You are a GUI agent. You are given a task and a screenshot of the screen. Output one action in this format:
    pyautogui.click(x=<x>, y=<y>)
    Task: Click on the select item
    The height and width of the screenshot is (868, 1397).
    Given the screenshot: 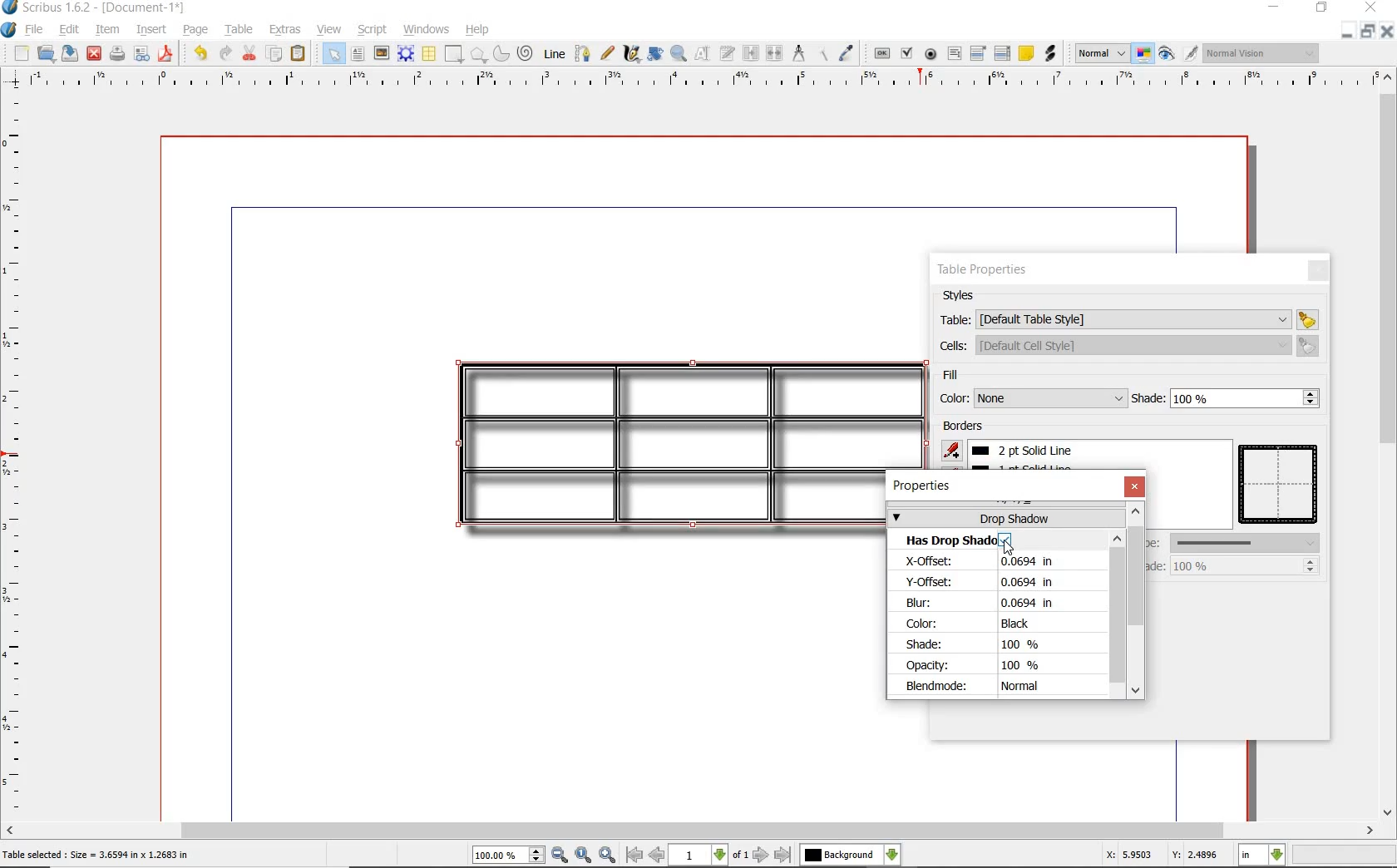 What is the action you would take?
    pyautogui.click(x=332, y=53)
    